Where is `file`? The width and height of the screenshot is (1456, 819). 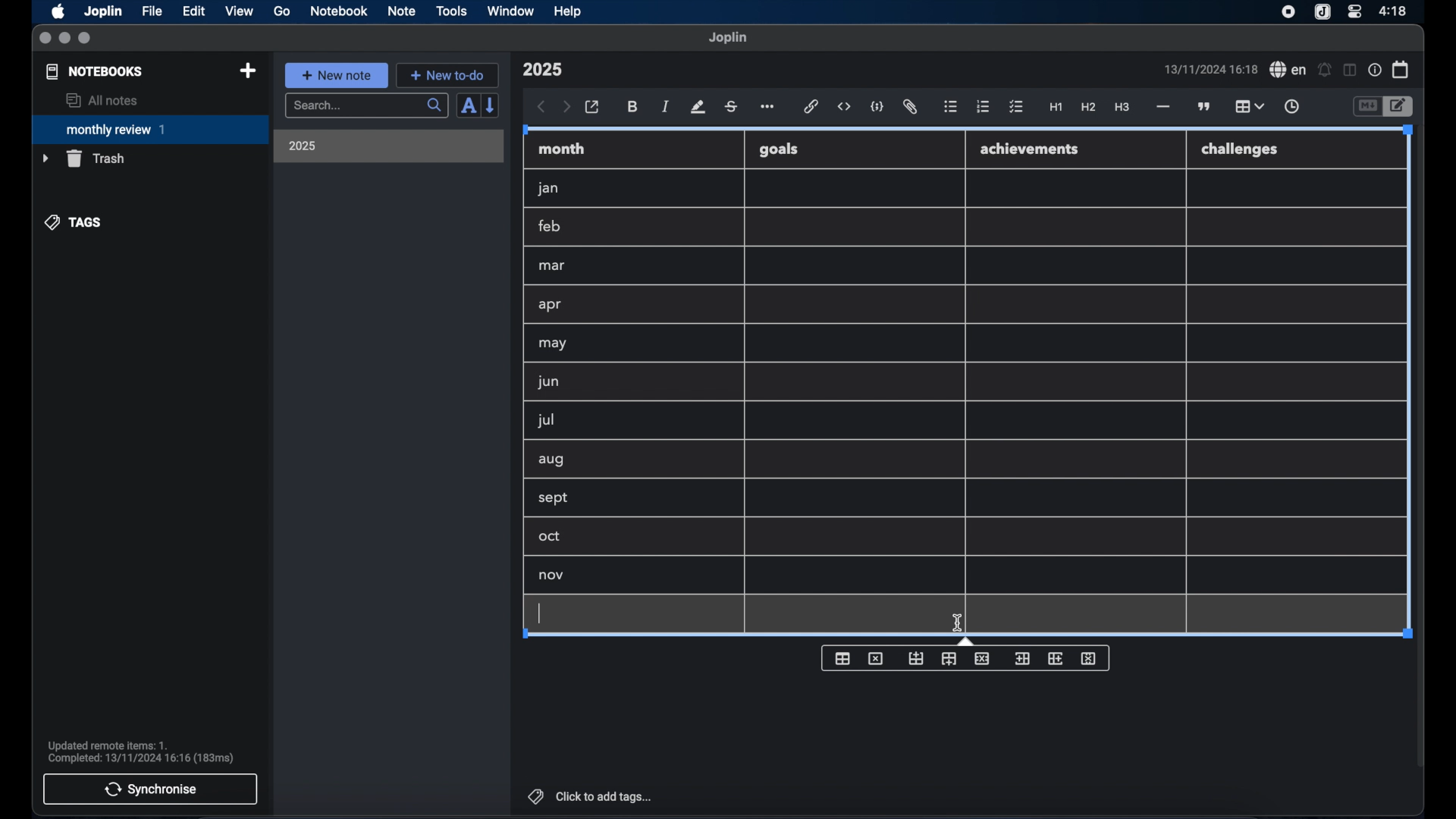 file is located at coordinates (152, 11).